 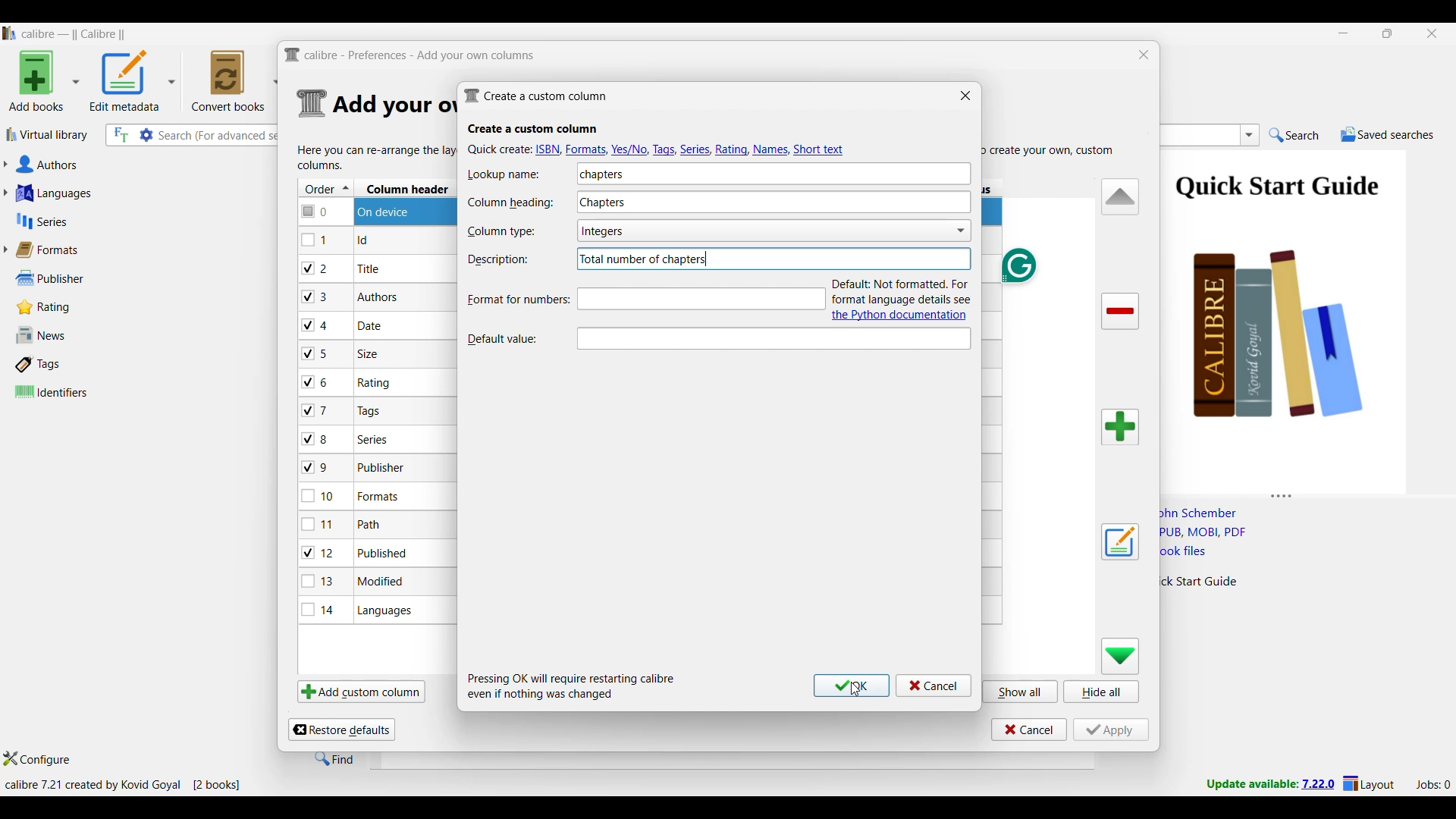 I want to click on Options to edit metadata, so click(x=133, y=80).